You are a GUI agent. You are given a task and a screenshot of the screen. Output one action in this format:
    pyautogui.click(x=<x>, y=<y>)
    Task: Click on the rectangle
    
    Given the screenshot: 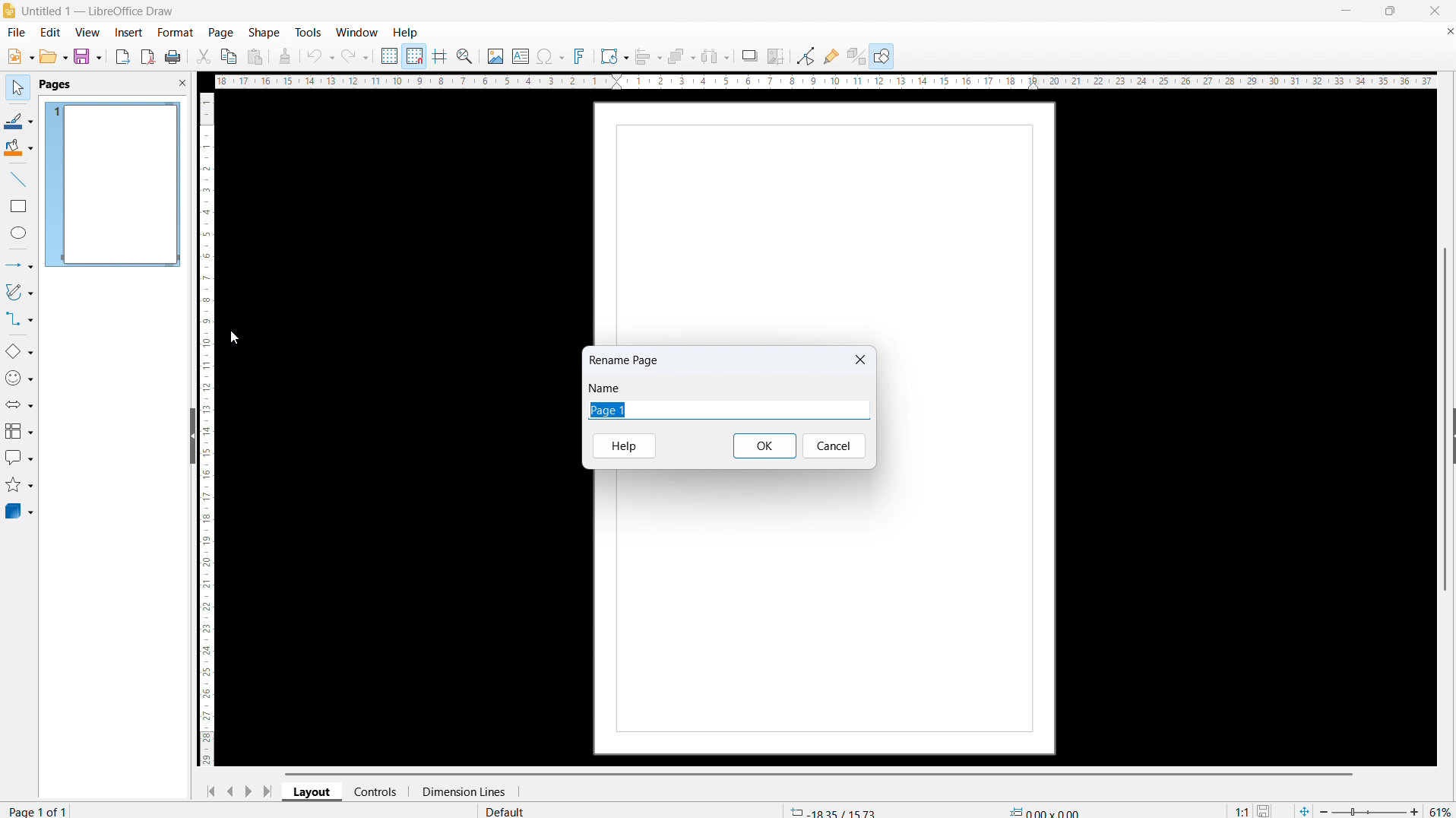 What is the action you would take?
    pyautogui.click(x=19, y=207)
    